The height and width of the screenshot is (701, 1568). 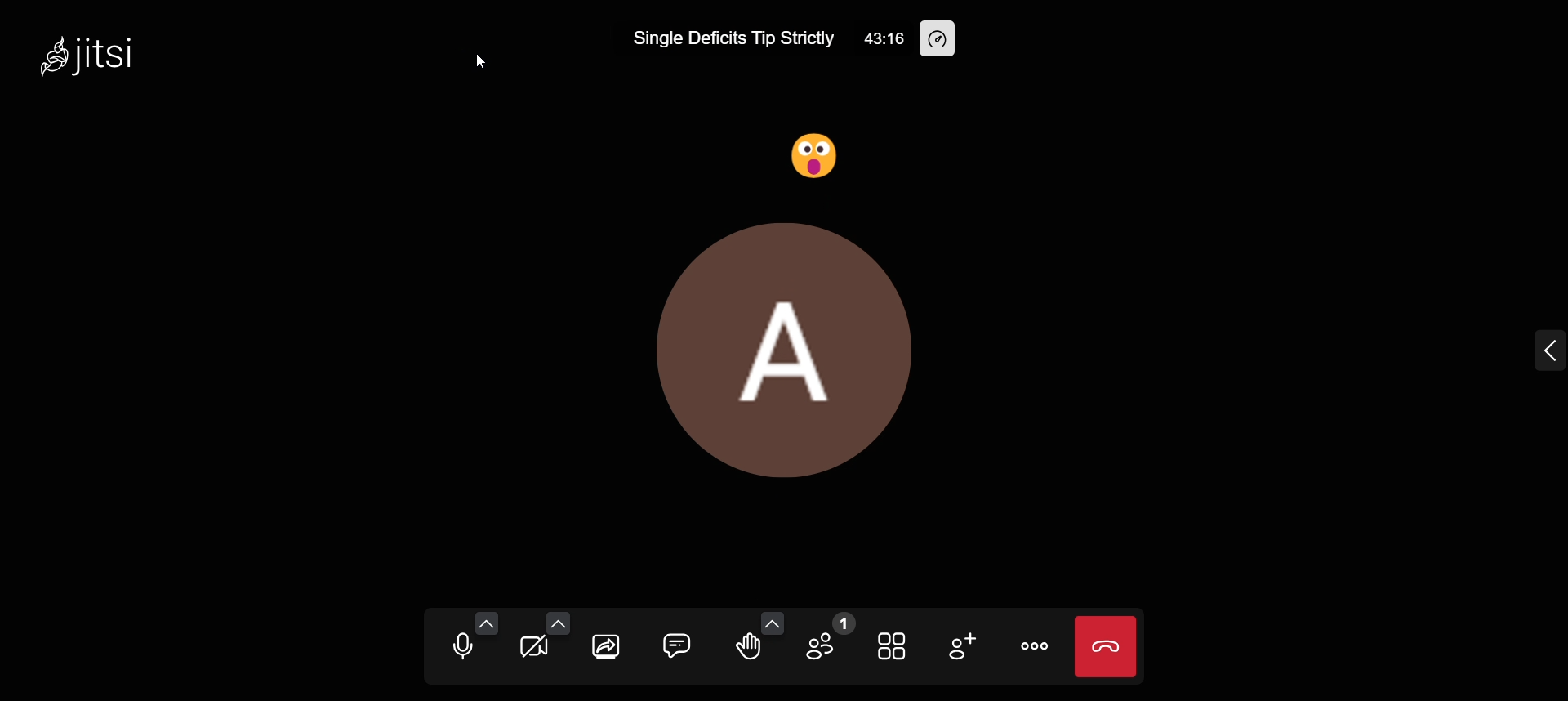 What do you see at coordinates (770, 624) in the screenshot?
I see `more emoji option` at bounding box center [770, 624].